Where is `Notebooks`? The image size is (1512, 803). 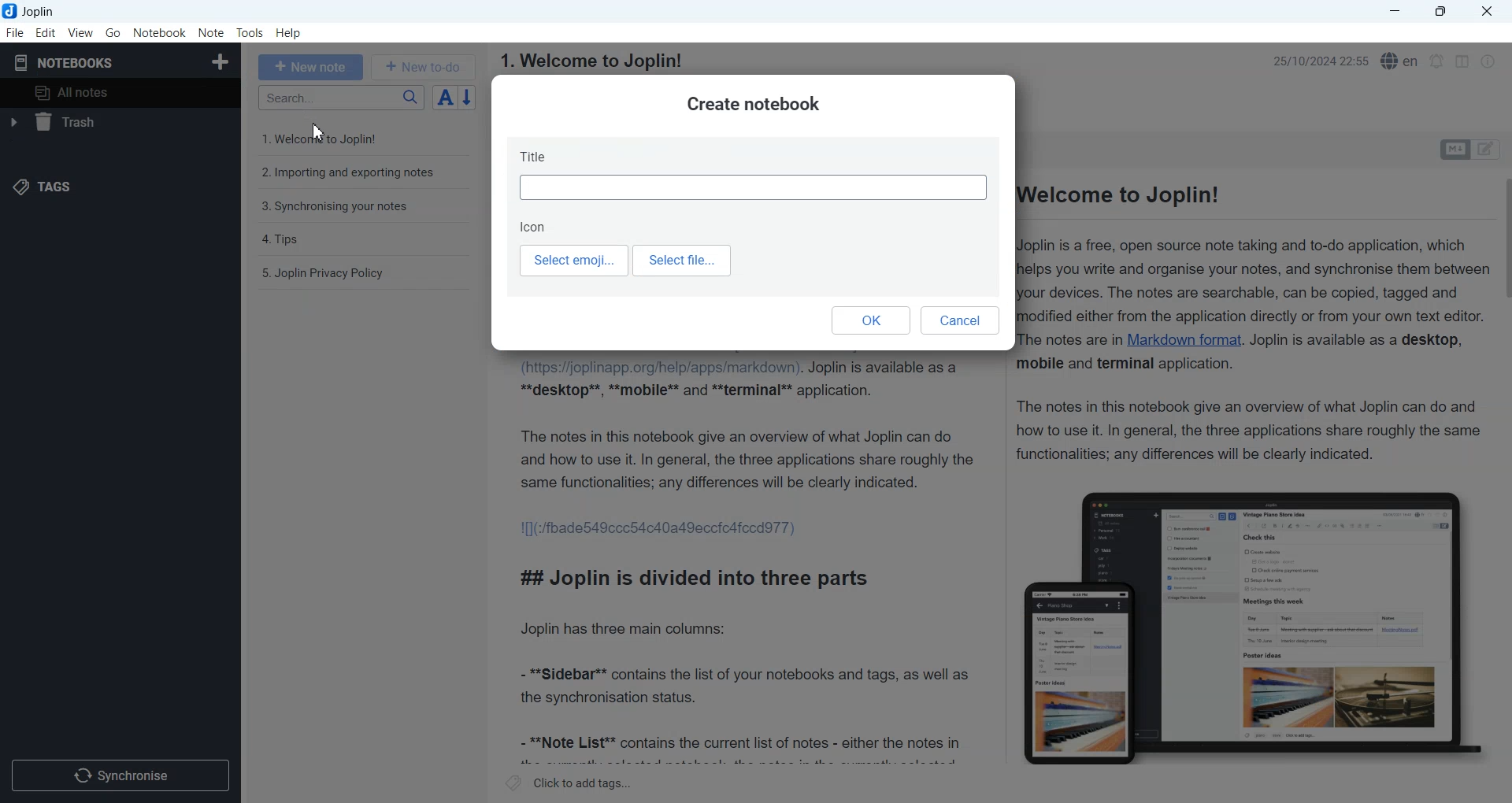
Notebooks is located at coordinates (64, 62).